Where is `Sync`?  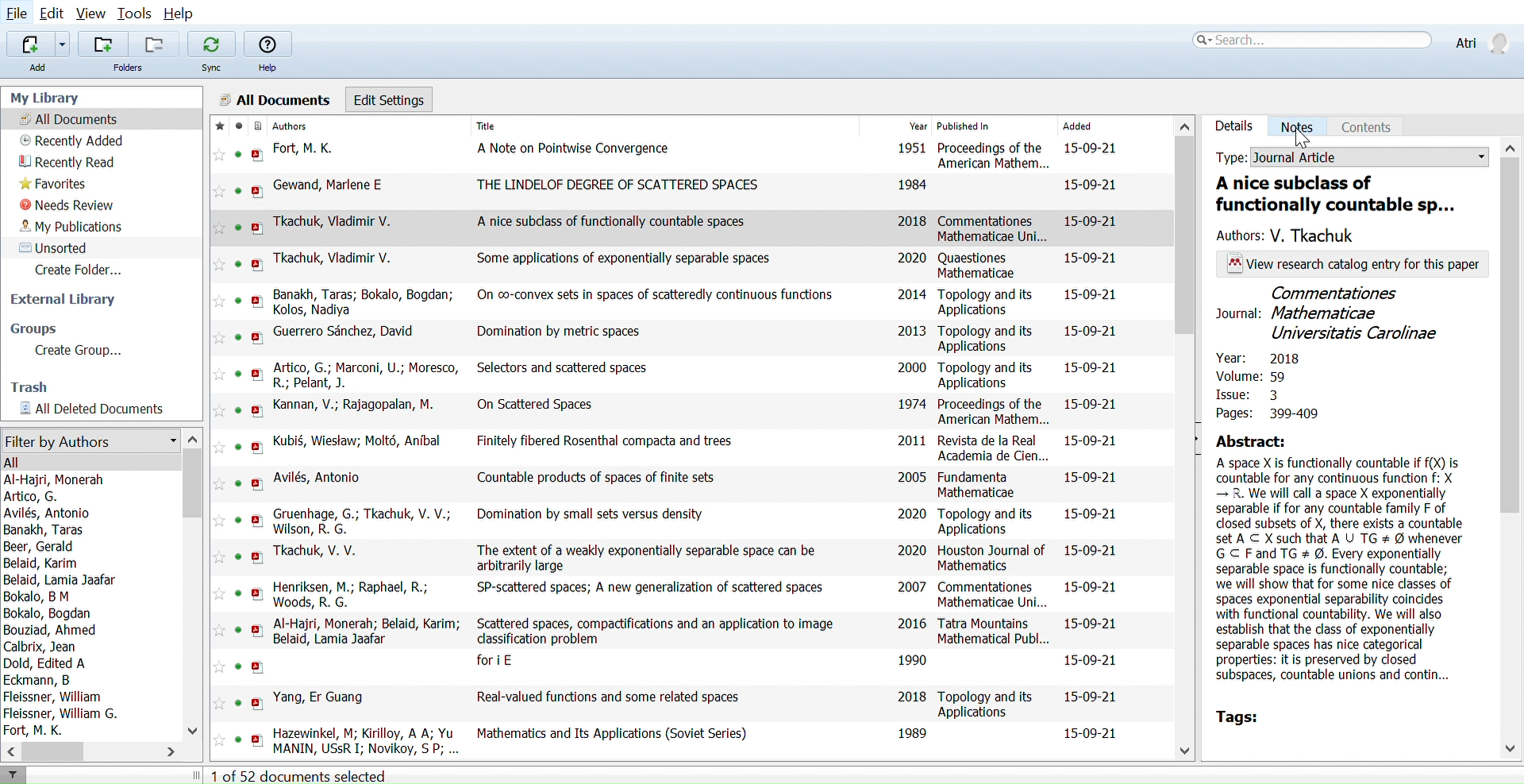
Sync is located at coordinates (212, 69).